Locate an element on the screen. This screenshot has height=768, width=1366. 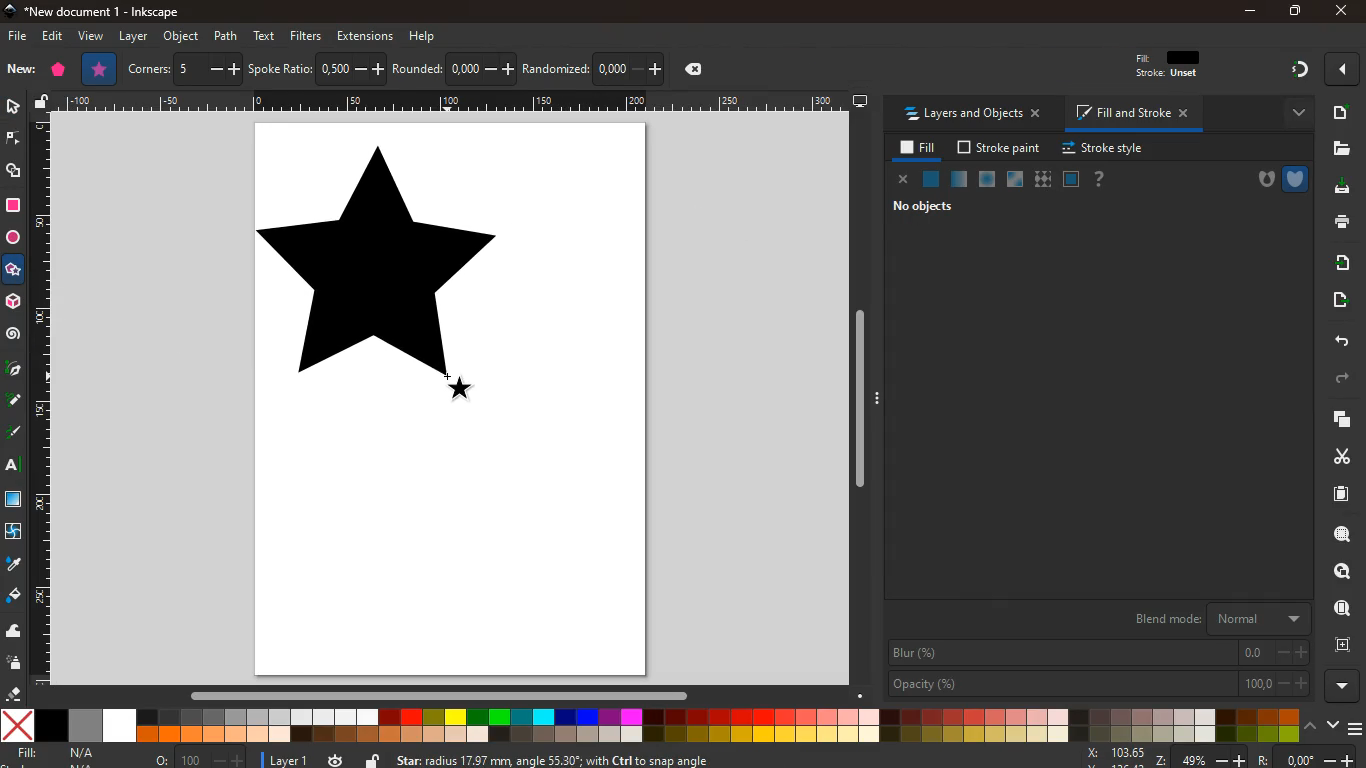
close is located at coordinates (1343, 9).